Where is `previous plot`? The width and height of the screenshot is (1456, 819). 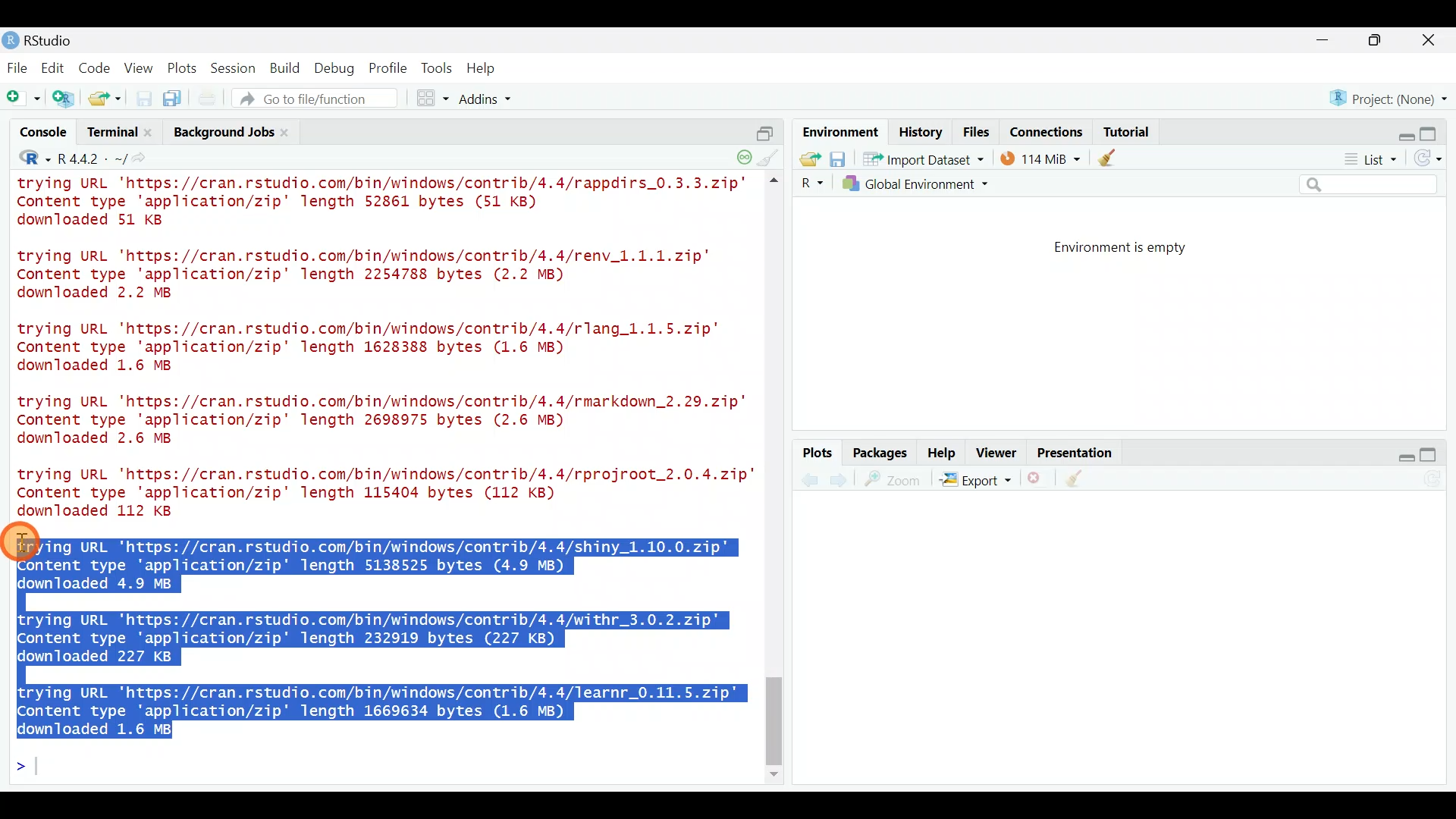 previous plot is located at coordinates (843, 479).